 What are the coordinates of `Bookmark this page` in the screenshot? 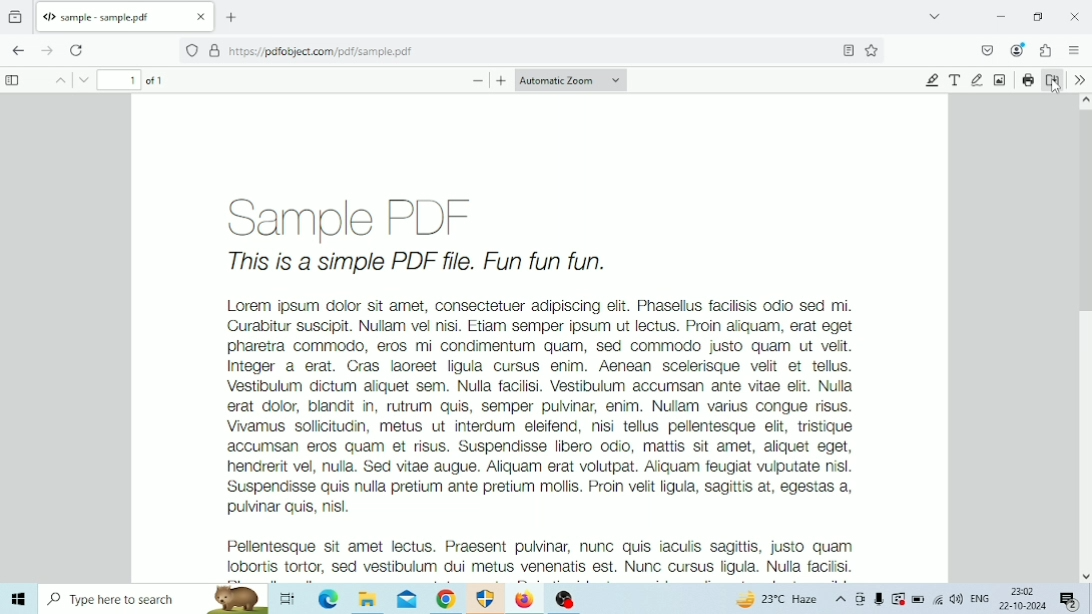 It's located at (849, 50).